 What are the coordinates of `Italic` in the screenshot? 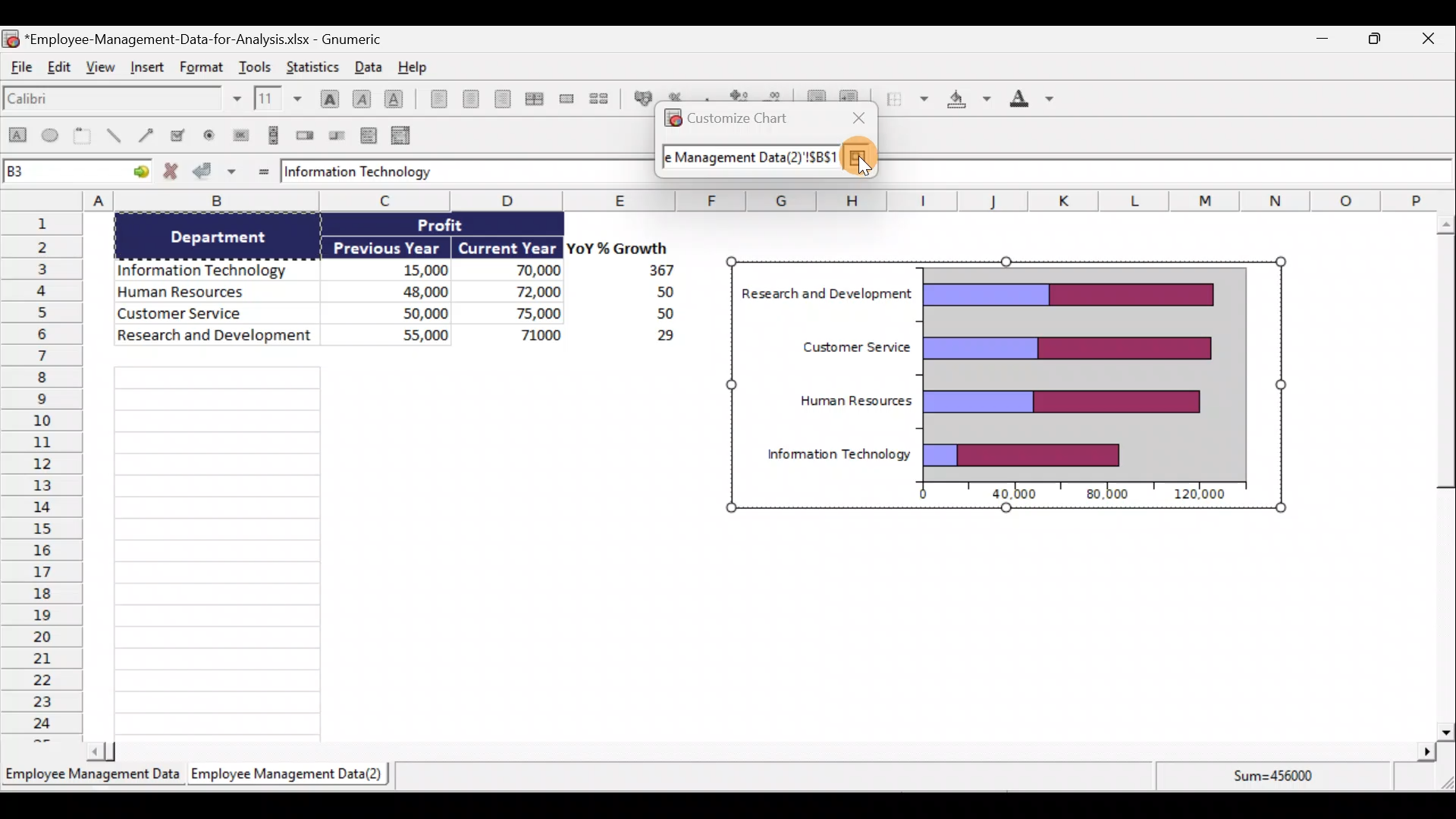 It's located at (362, 99).